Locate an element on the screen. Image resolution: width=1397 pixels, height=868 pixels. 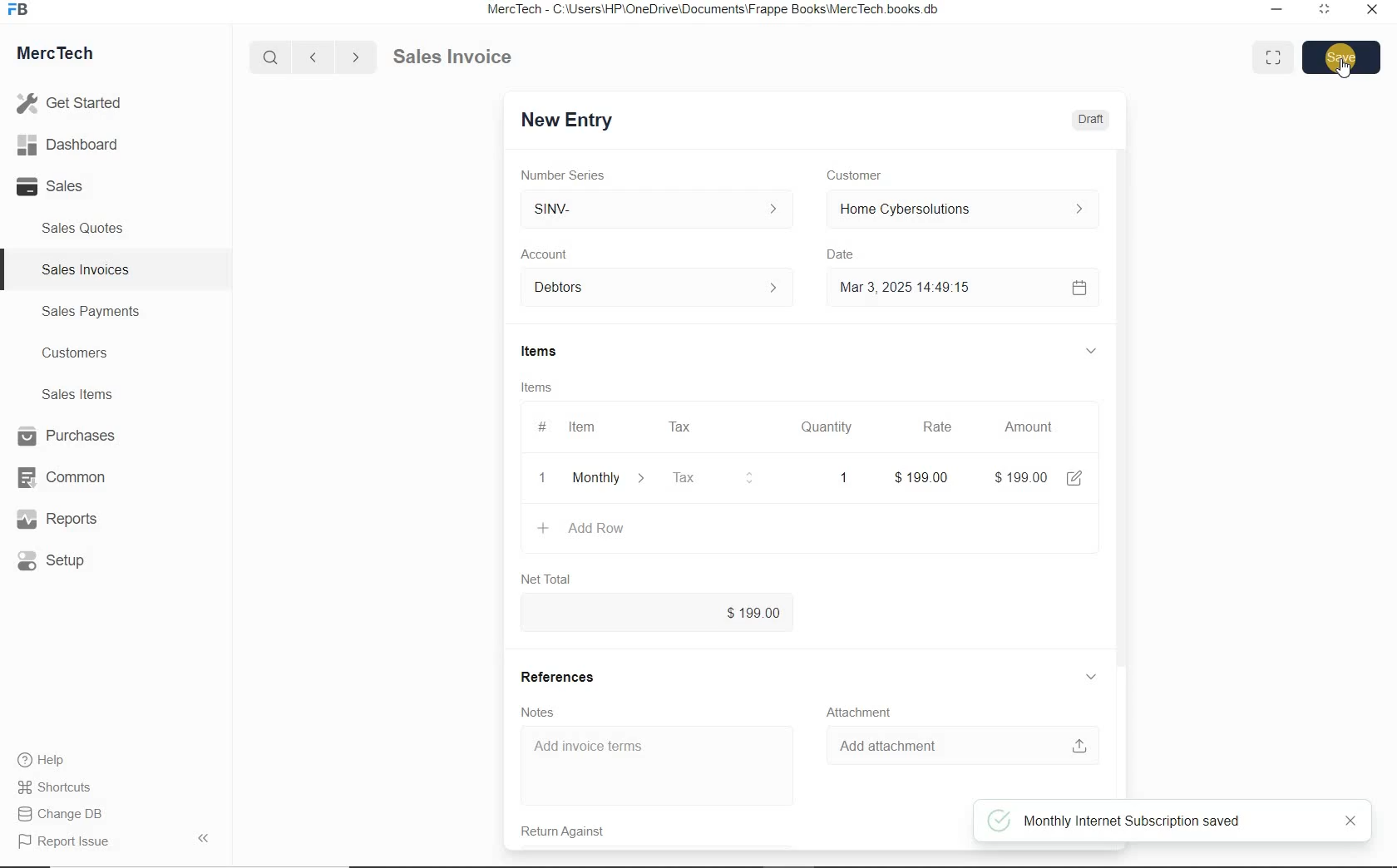
Reports is located at coordinates (70, 520).